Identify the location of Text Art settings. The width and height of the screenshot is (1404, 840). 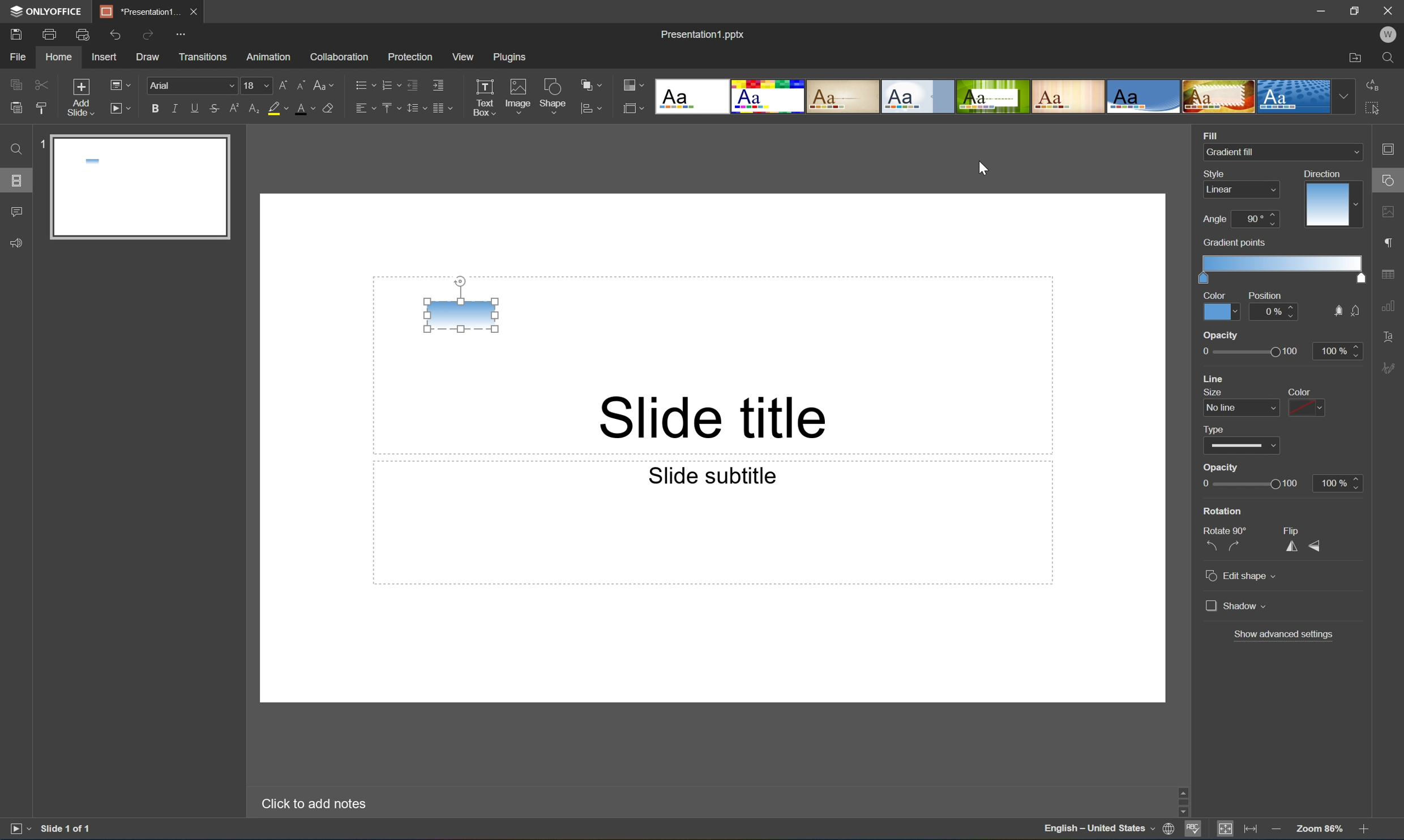
(1389, 336).